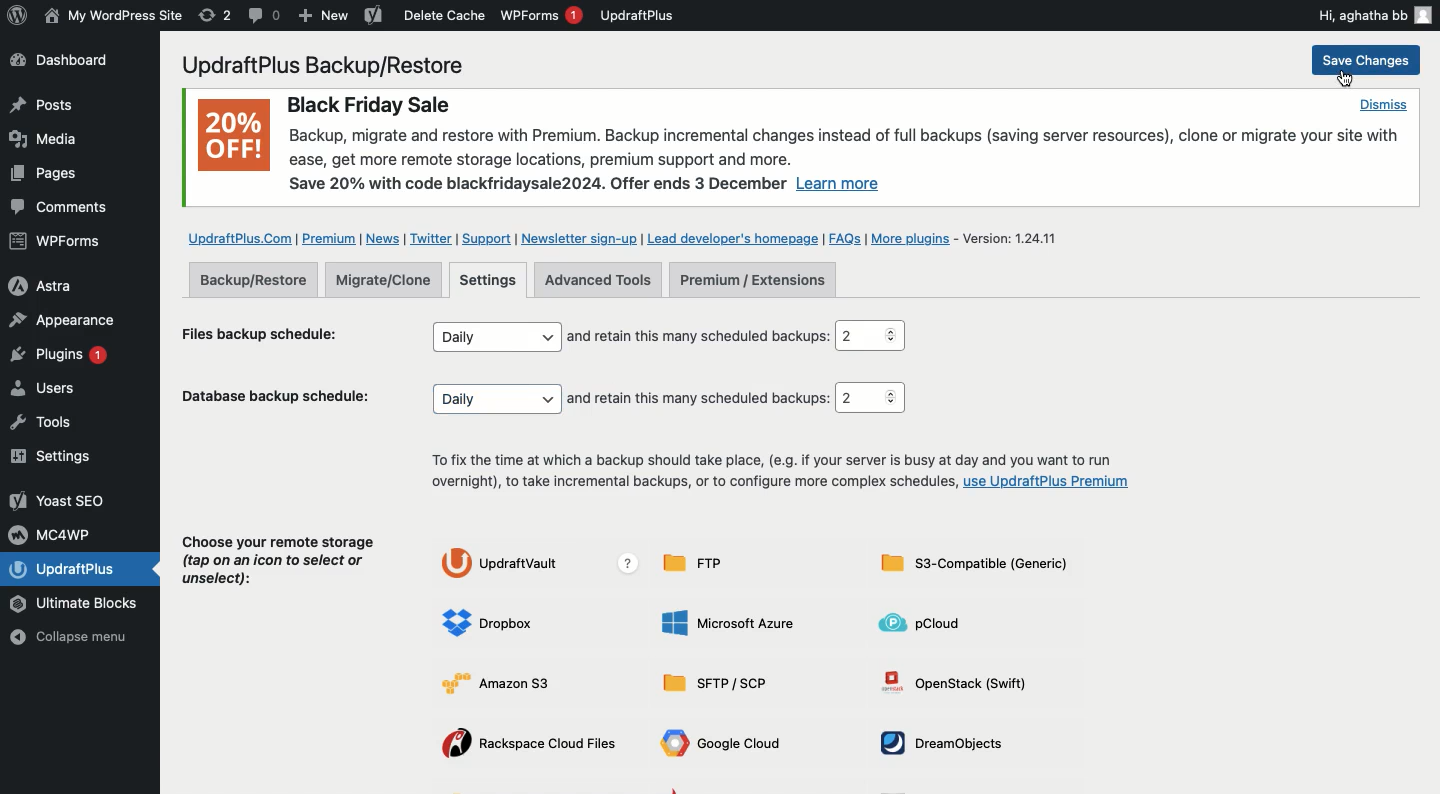 This screenshot has width=1440, height=794. What do you see at coordinates (1364, 61) in the screenshot?
I see `Save change` at bounding box center [1364, 61].